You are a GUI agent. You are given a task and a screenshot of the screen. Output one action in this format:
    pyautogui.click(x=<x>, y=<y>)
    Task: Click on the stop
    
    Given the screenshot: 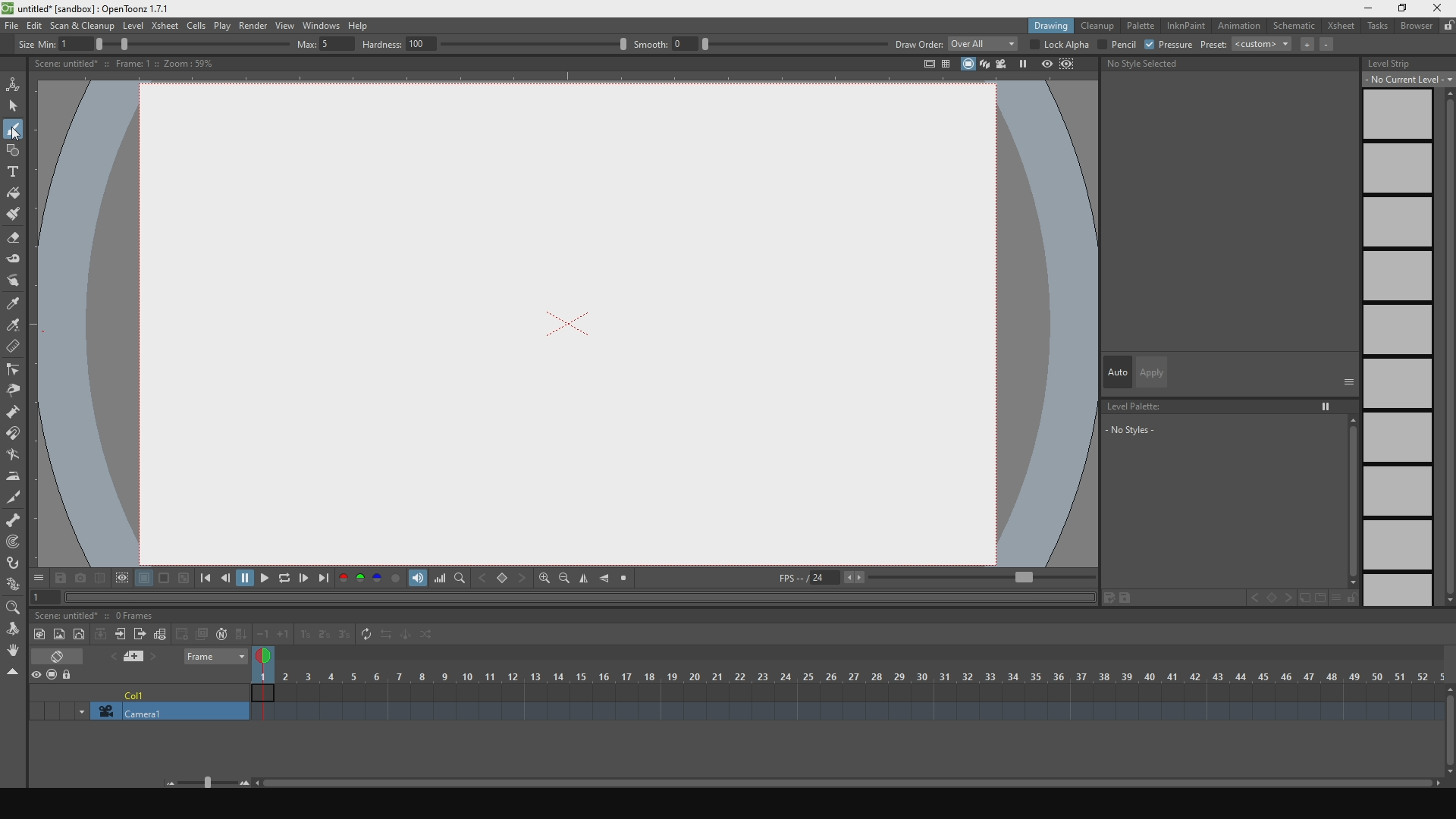 What is the action you would take?
    pyautogui.click(x=628, y=579)
    